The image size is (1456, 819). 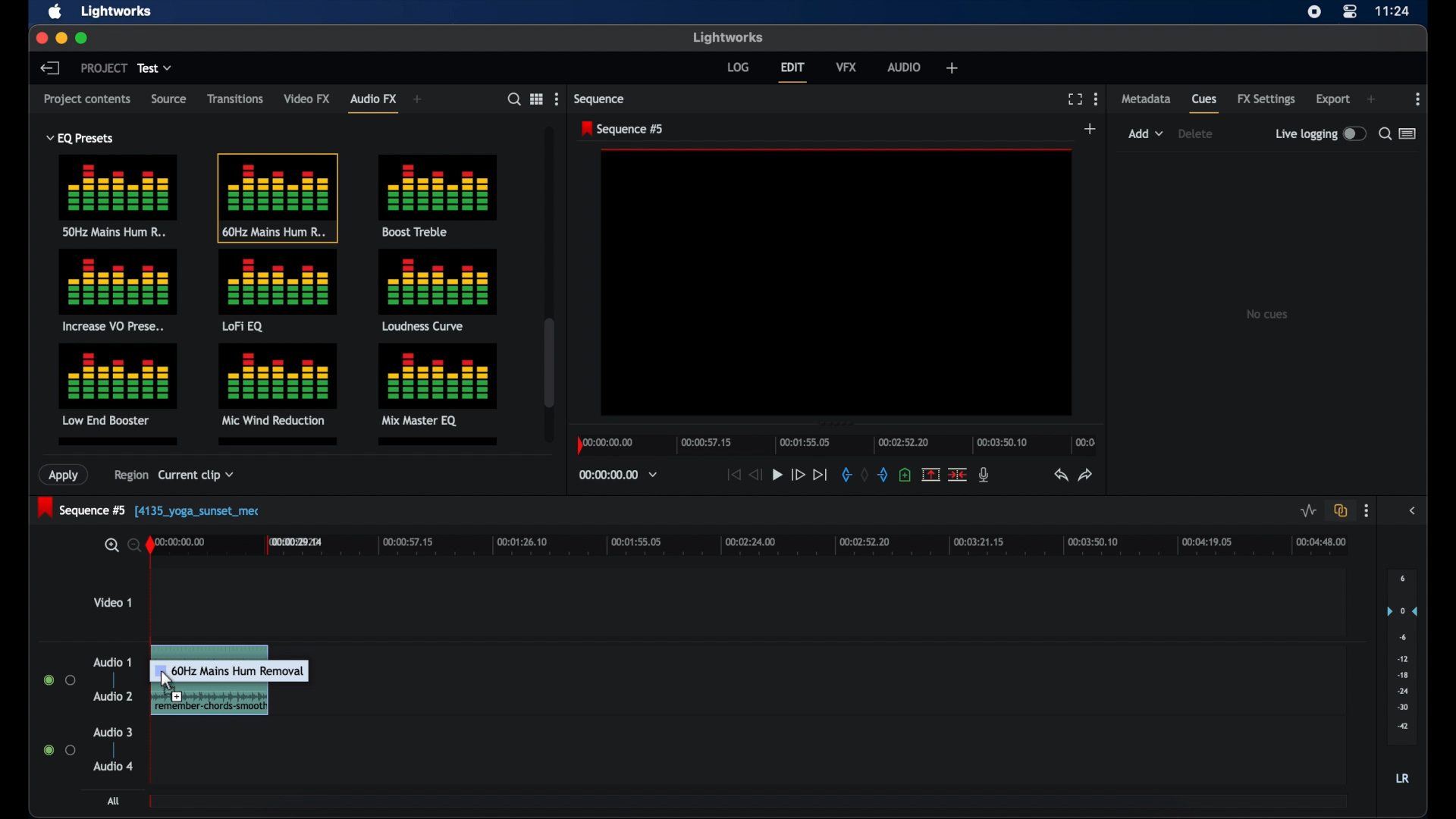 What do you see at coordinates (66, 475) in the screenshot?
I see `apply` at bounding box center [66, 475].